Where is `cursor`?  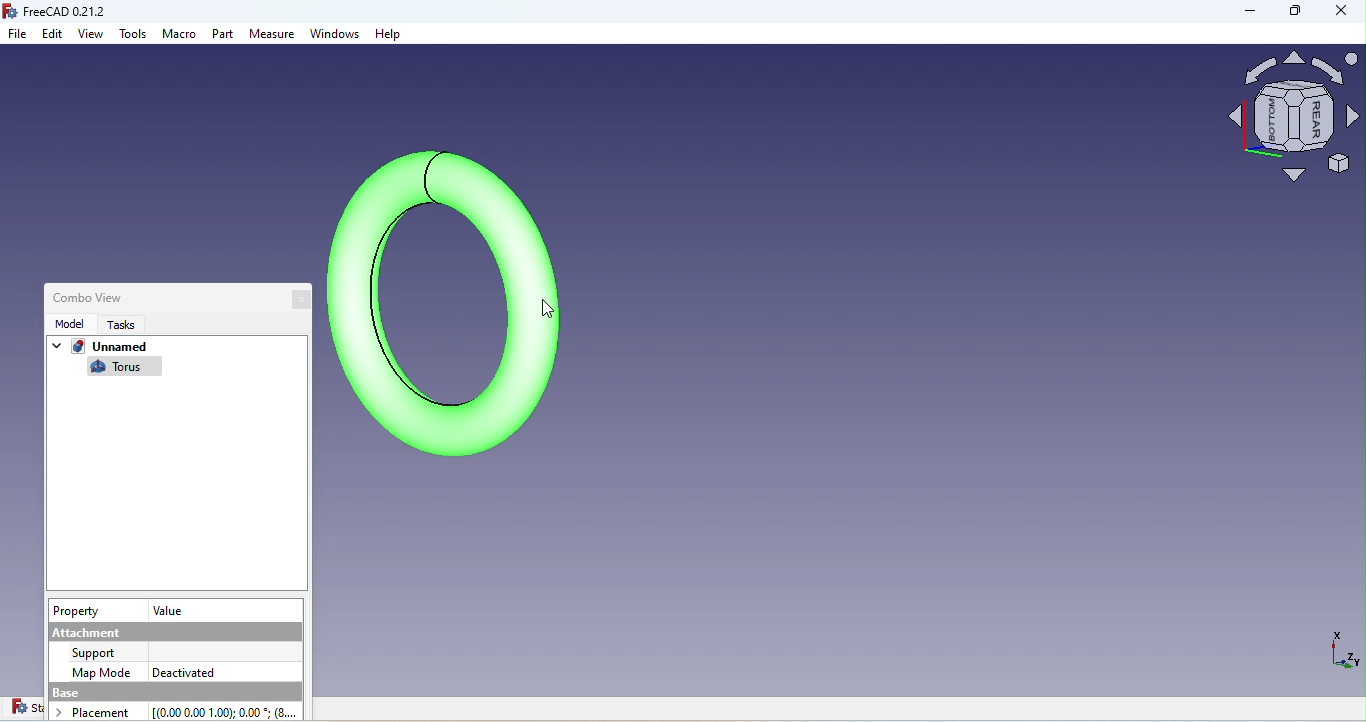 cursor is located at coordinates (550, 311).